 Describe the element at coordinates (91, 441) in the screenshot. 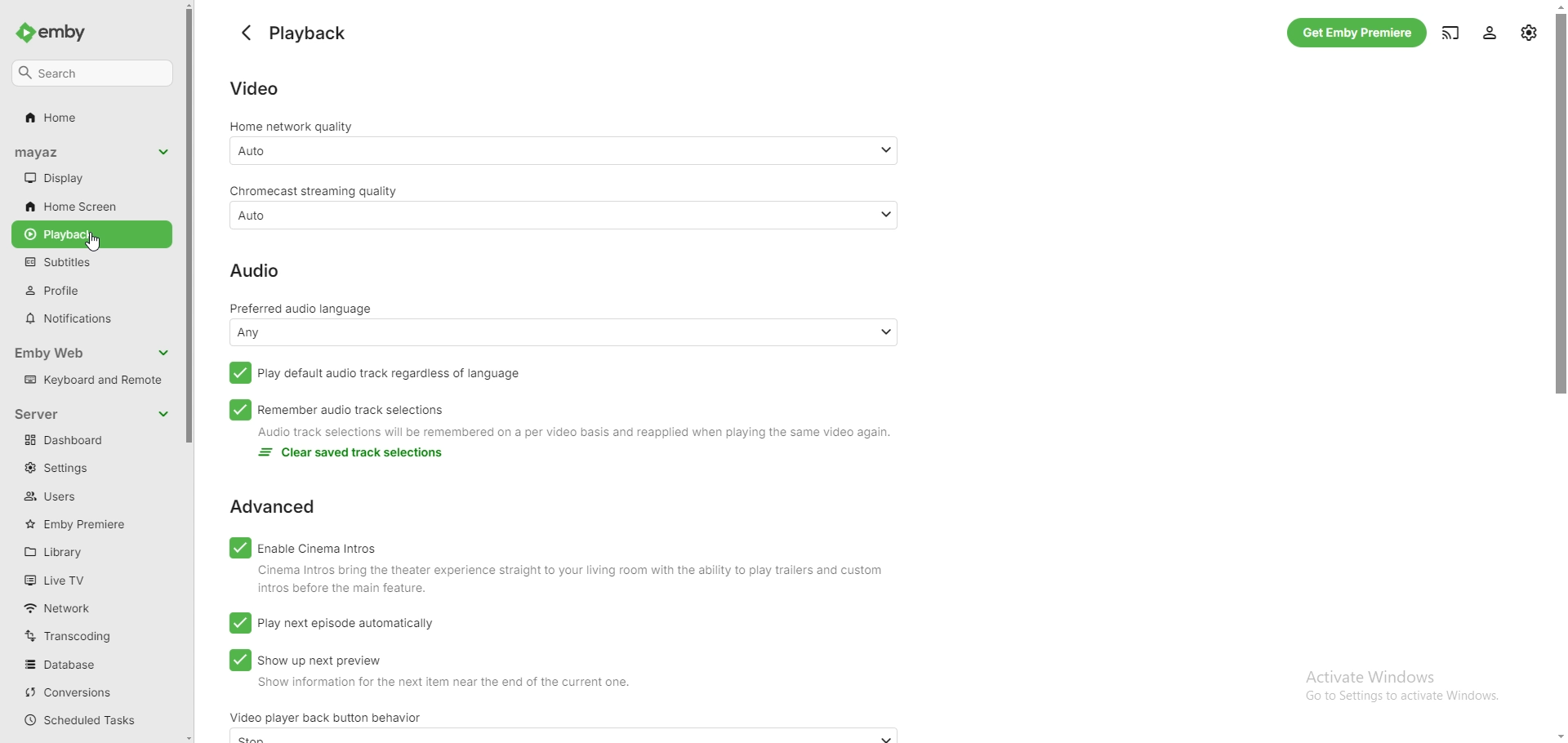

I see `dashboard` at that location.